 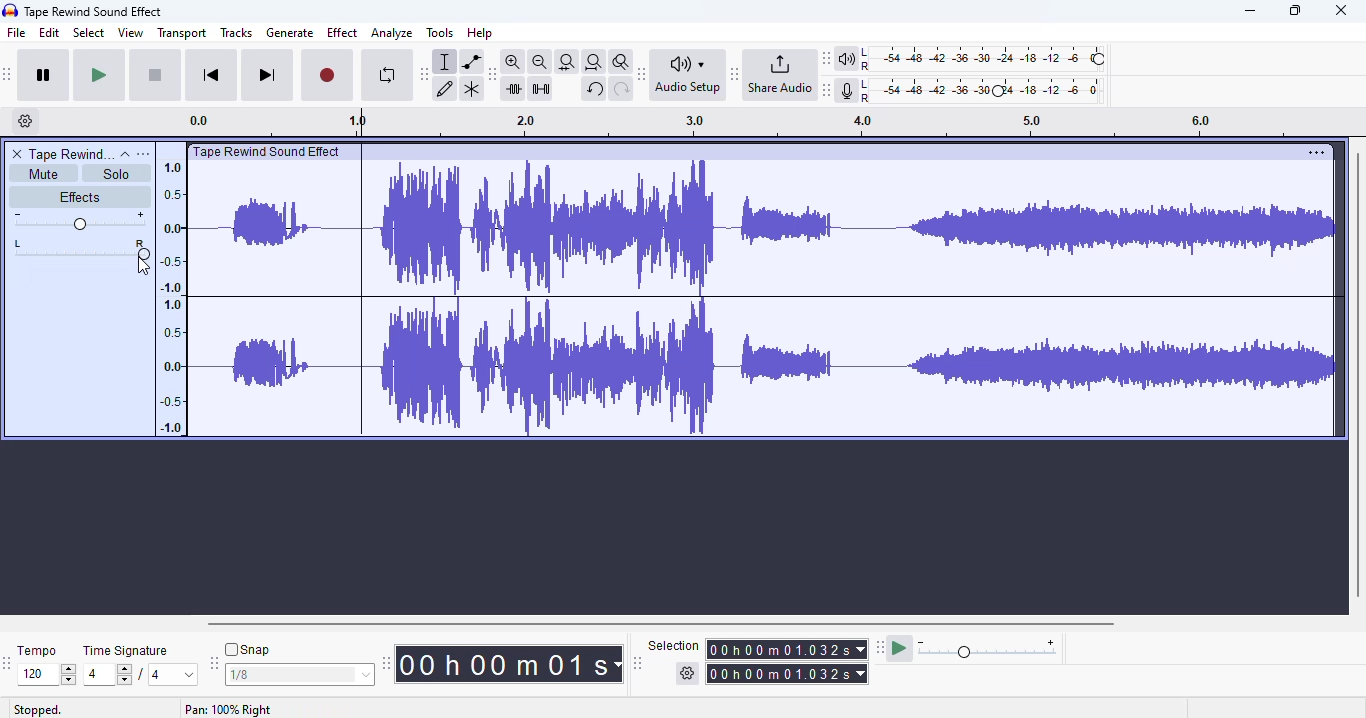 What do you see at coordinates (827, 90) in the screenshot?
I see `audacity recording meter toolbar` at bounding box center [827, 90].